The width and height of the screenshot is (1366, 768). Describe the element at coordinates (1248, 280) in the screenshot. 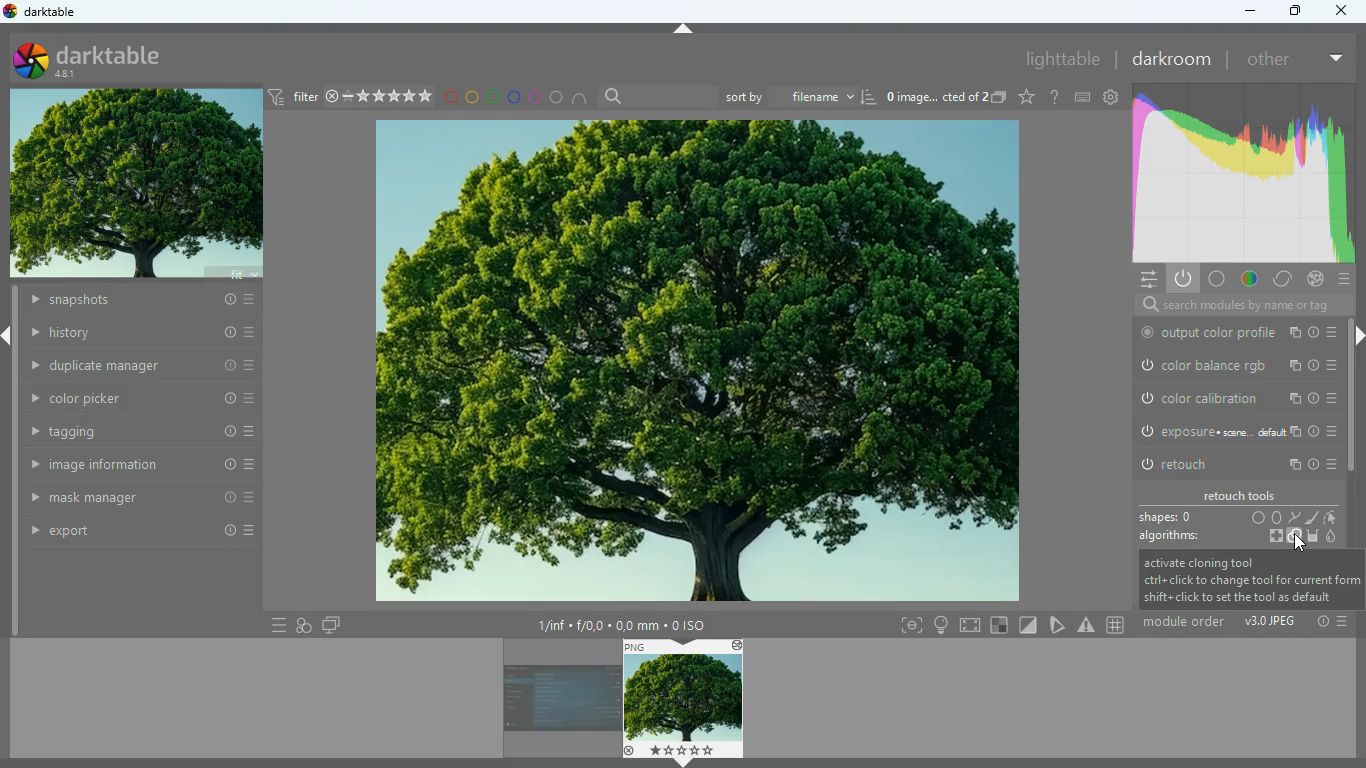

I see `color` at that location.